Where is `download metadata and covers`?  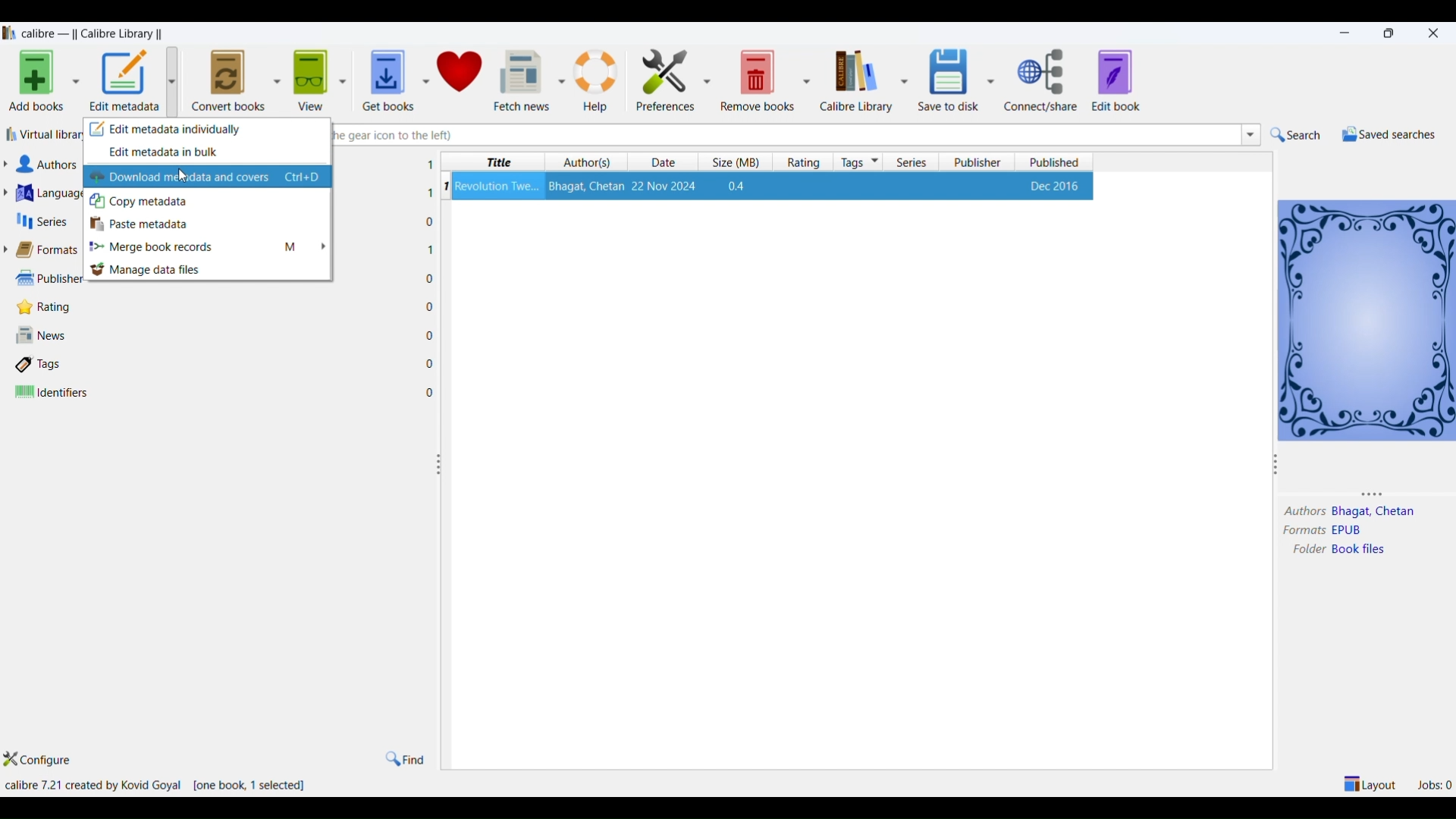 download metadata and covers is located at coordinates (181, 177).